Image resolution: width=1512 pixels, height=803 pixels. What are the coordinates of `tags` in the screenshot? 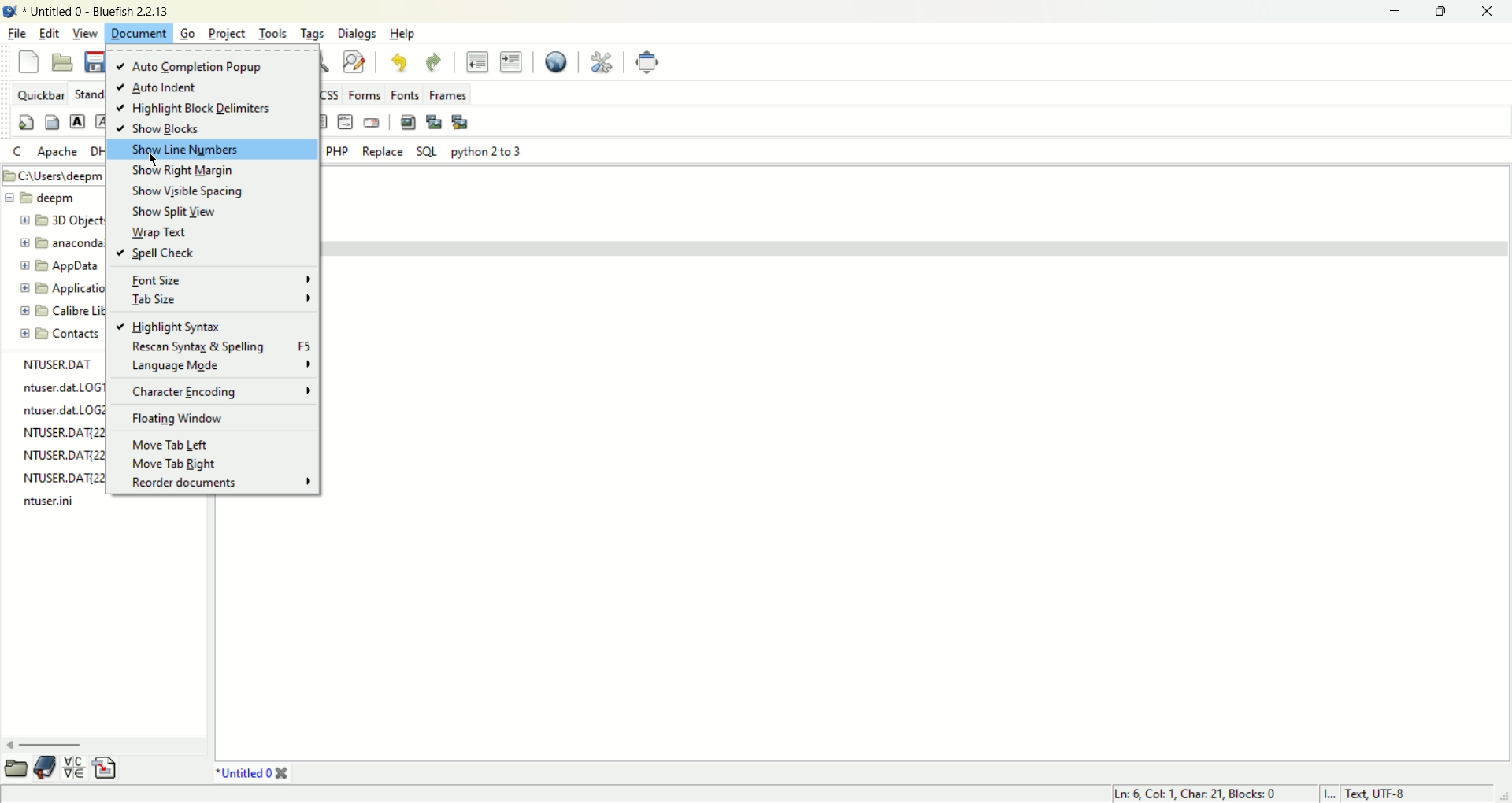 It's located at (317, 31).